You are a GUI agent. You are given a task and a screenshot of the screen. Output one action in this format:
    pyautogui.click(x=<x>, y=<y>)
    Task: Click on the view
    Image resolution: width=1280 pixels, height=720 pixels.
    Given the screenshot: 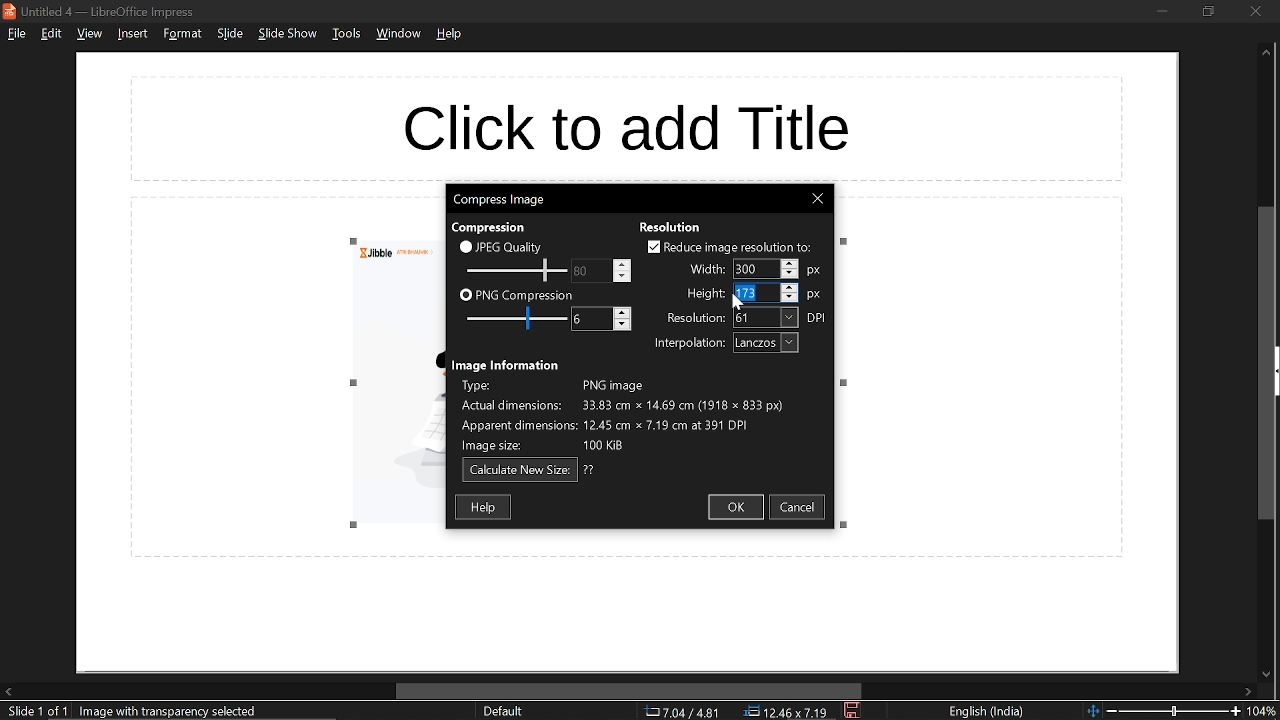 What is the action you would take?
    pyautogui.click(x=88, y=35)
    